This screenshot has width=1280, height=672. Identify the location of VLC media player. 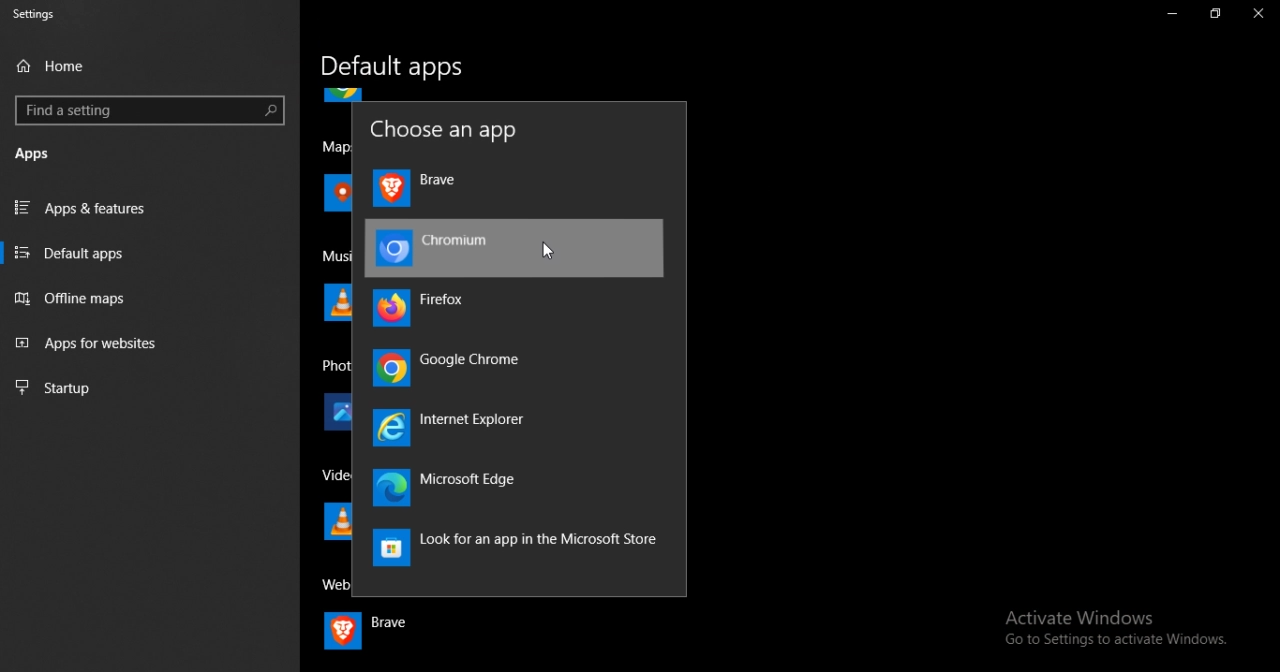
(335, 301).